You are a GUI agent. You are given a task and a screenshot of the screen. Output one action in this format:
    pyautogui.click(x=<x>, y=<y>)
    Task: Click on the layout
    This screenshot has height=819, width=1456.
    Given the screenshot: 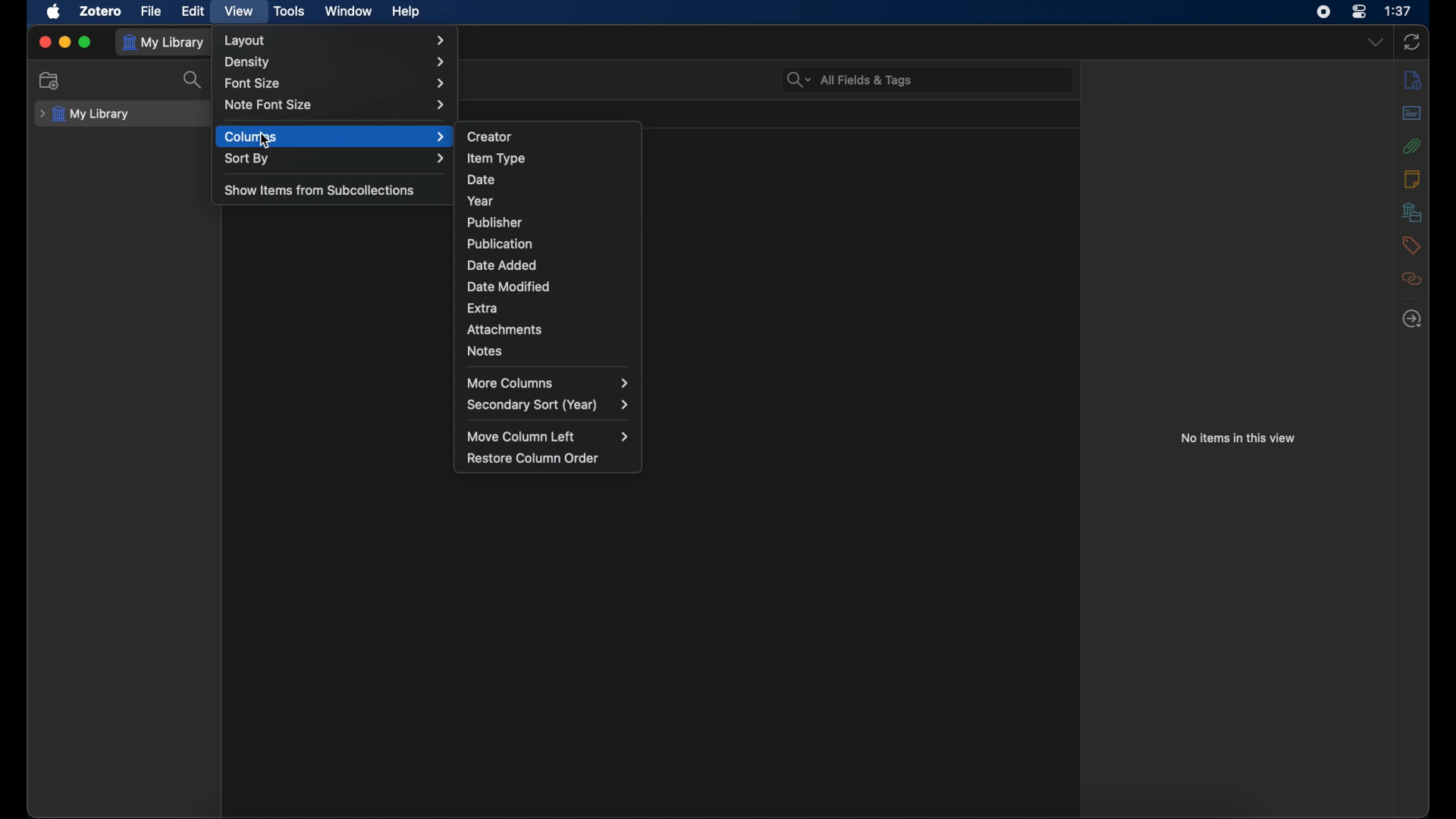 What is the action you would take?
    pyautogui.click(x=335, y=40)
    